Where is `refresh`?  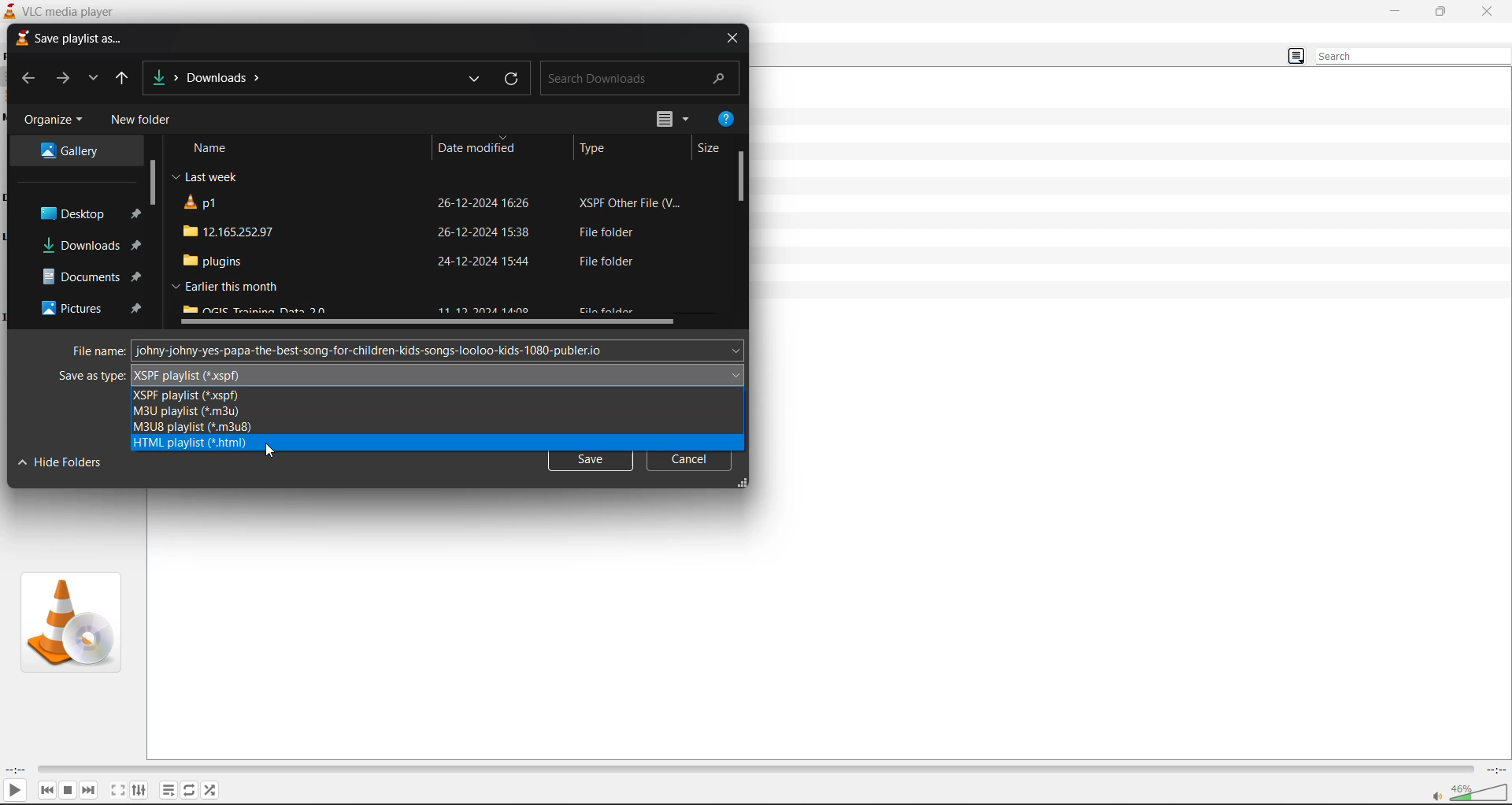 refresh is located at coordinates (513, 80).